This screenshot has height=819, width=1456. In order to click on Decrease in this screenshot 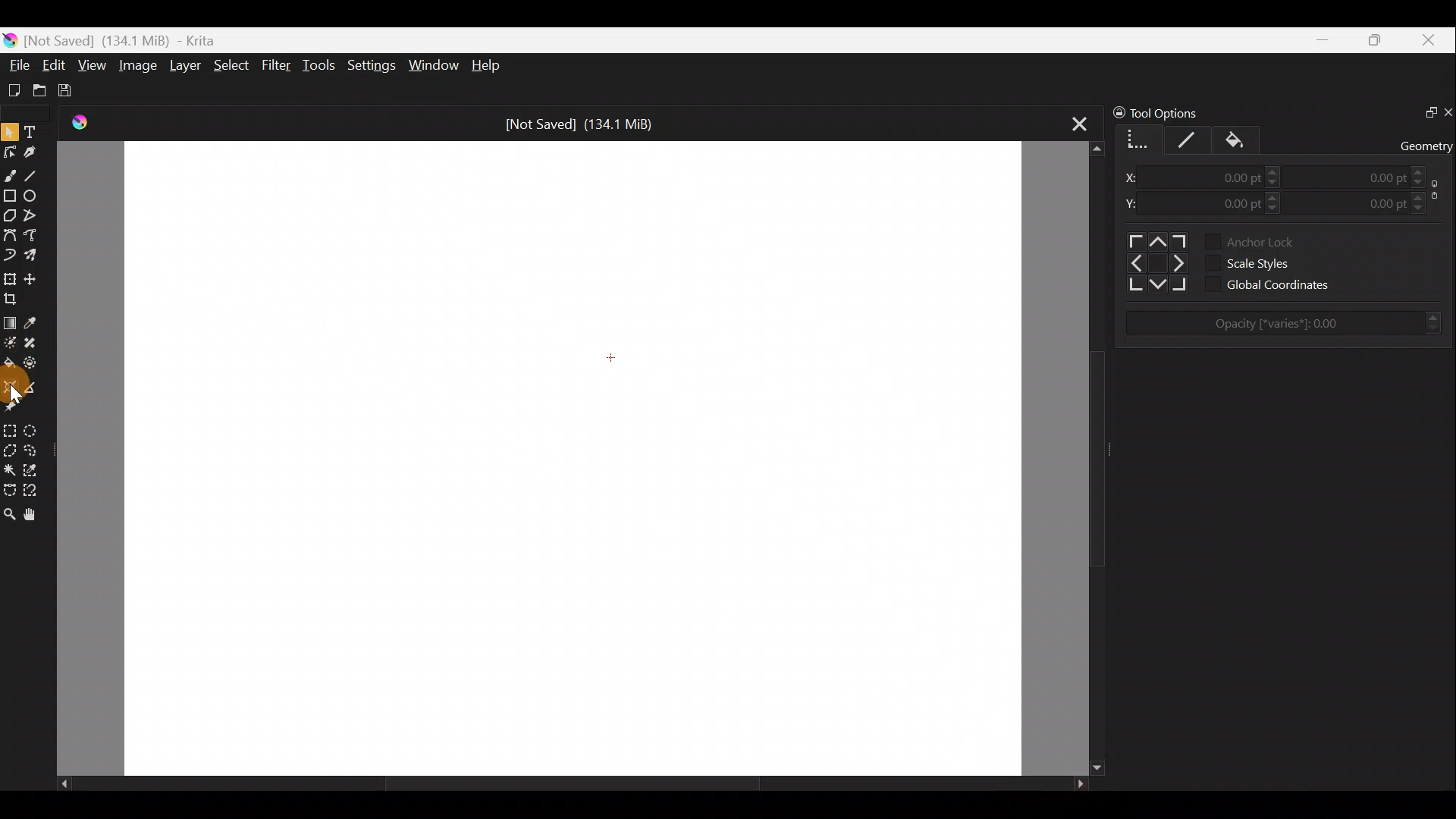, I will do `click(1275, 209)`.